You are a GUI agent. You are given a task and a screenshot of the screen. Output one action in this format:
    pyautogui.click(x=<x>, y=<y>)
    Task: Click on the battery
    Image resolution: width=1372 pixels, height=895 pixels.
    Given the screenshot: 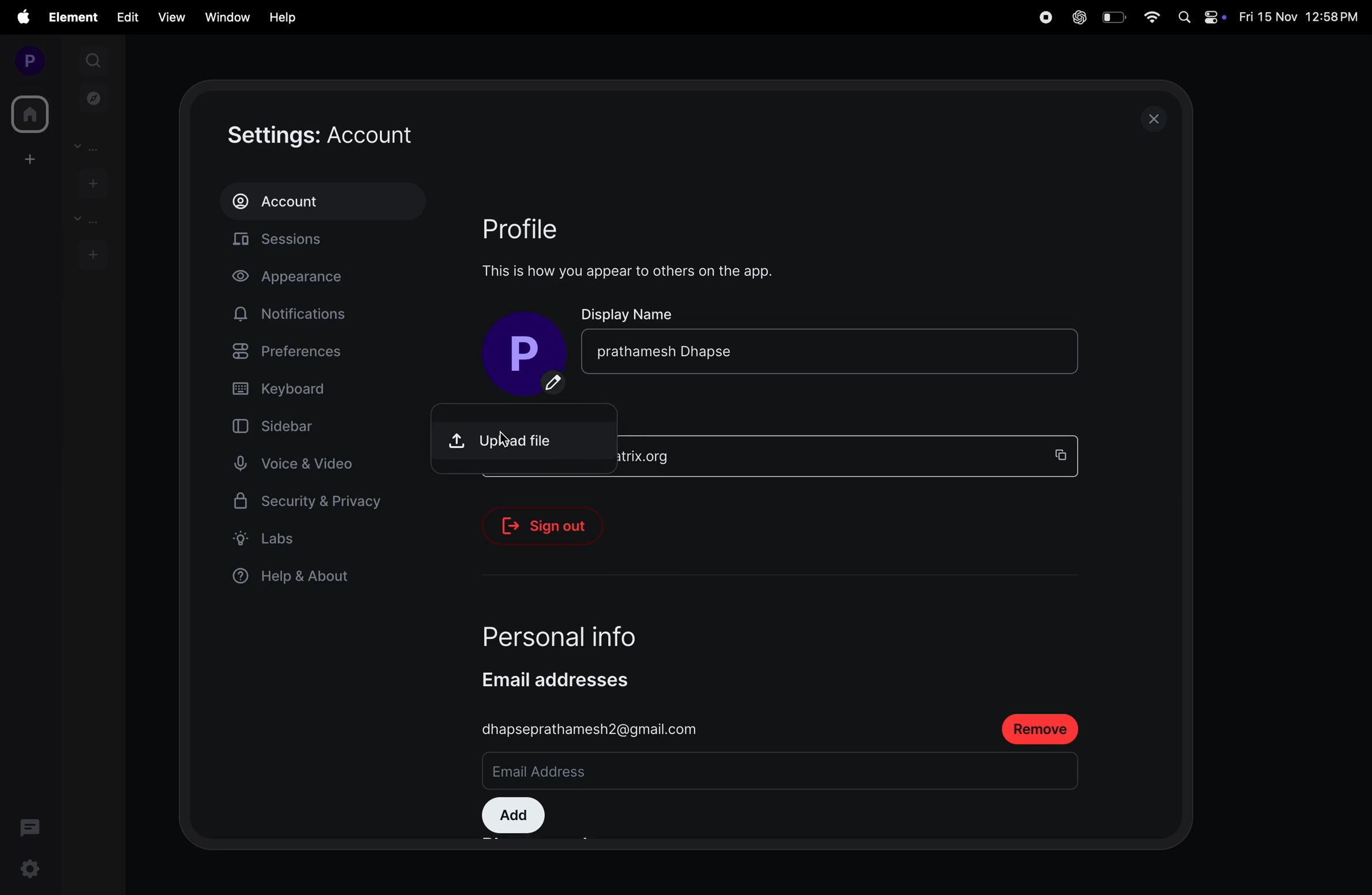 What is the action you would take?
    pyautogui.click(x=1113, y=17)
    